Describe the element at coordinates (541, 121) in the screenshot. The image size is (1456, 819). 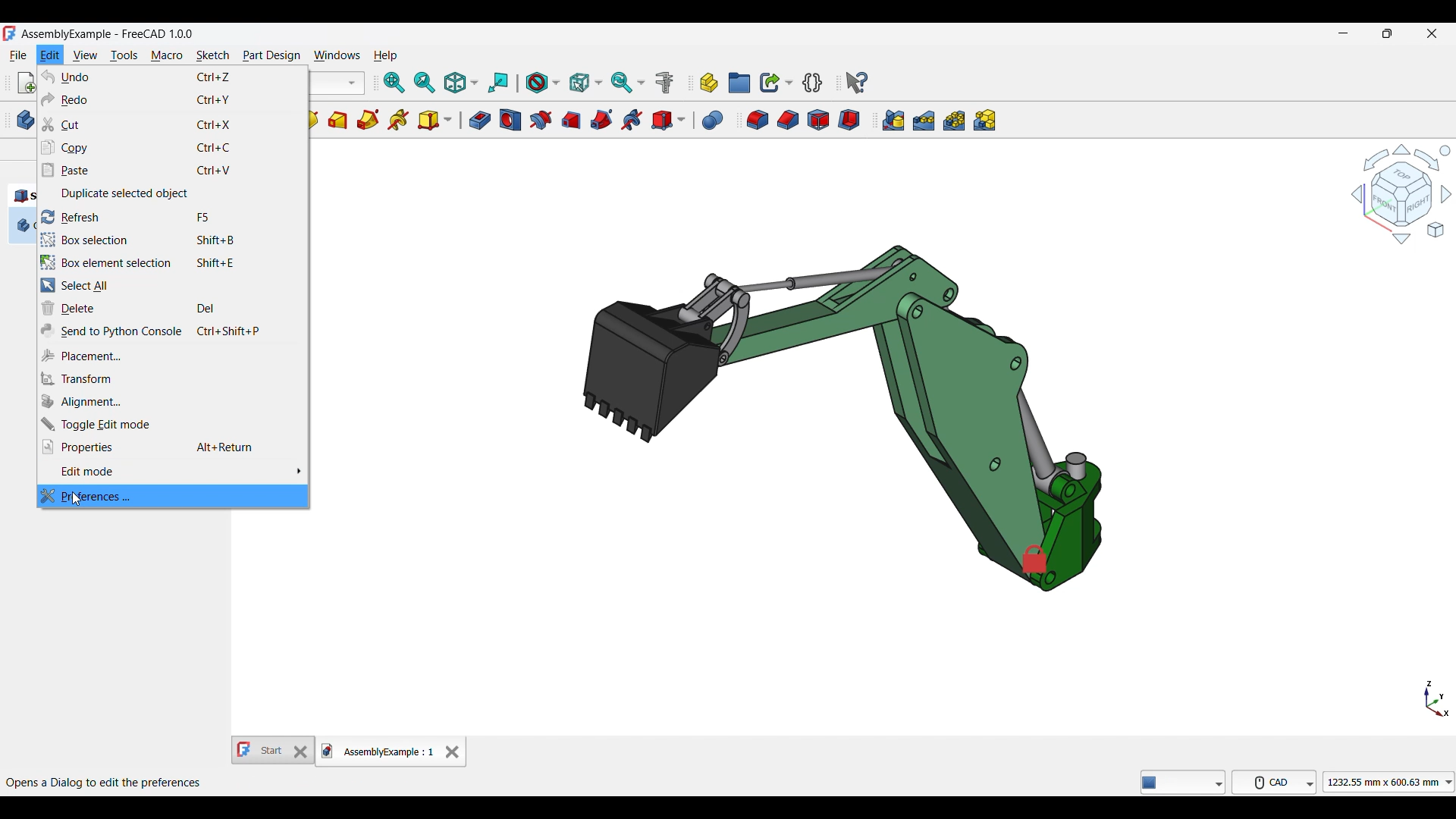
I see `Groove` at that location.